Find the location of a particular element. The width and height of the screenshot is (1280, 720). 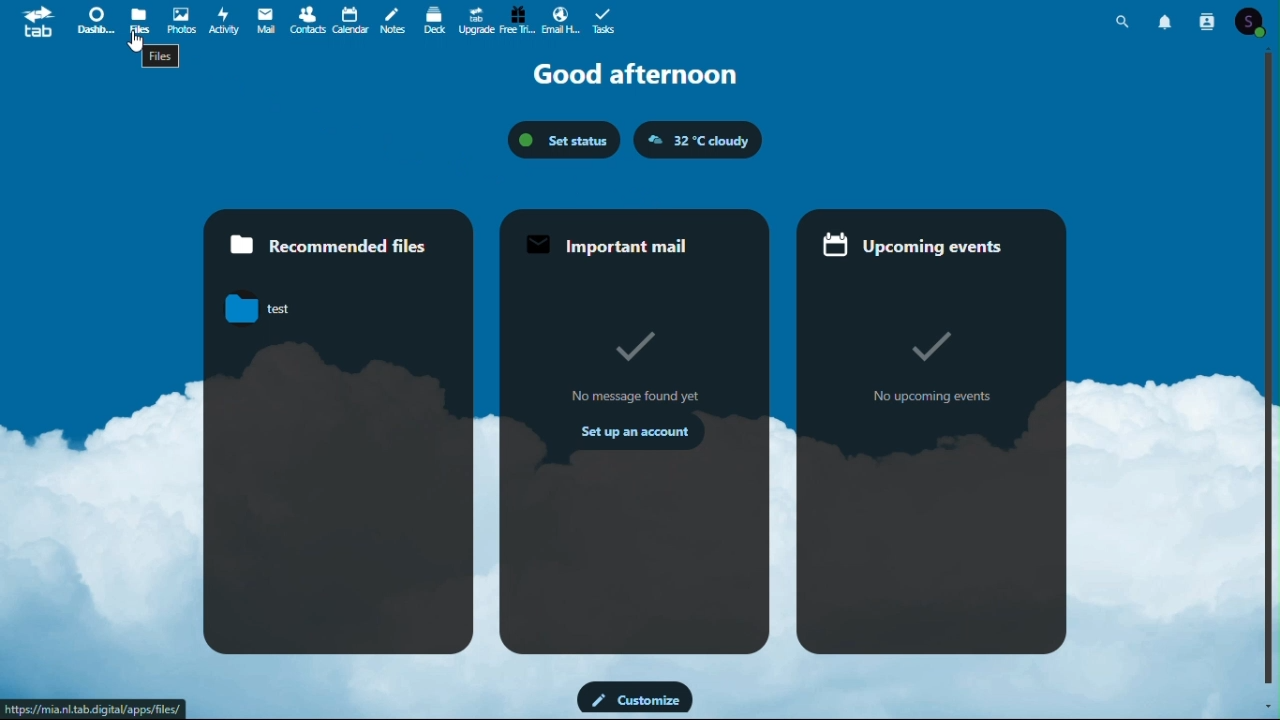

Photos  is located at coordinates (179, 19).